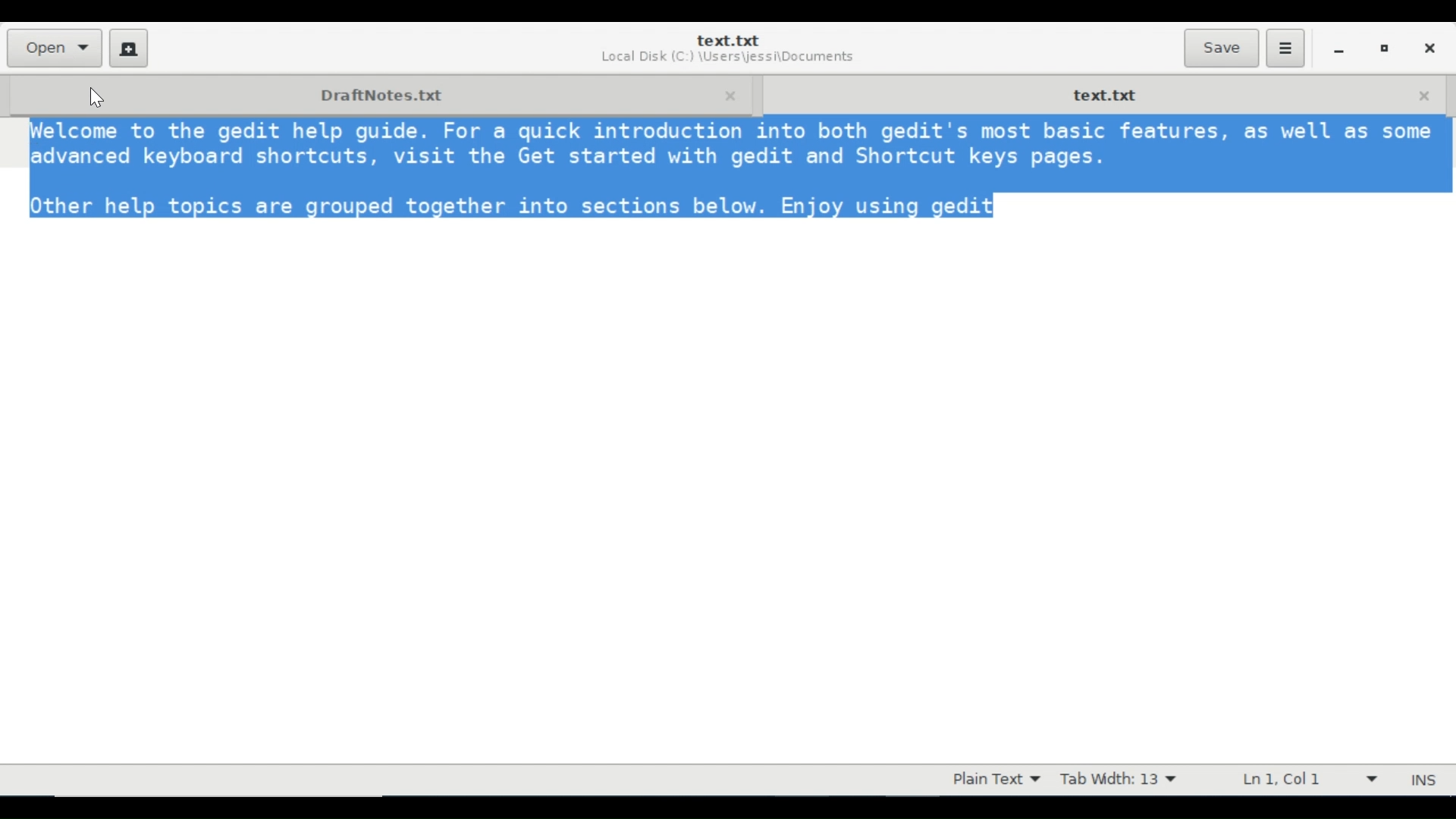  Describe the element at coordinates (728, 149) in the screenshot. I see `elcome to the gedit help guide. For a quick introduction into both gedit's most basic features, as well as some
advanced keyboard shortcuts, visit the Get started with gedit and Shortcut keys pages.` at that location.